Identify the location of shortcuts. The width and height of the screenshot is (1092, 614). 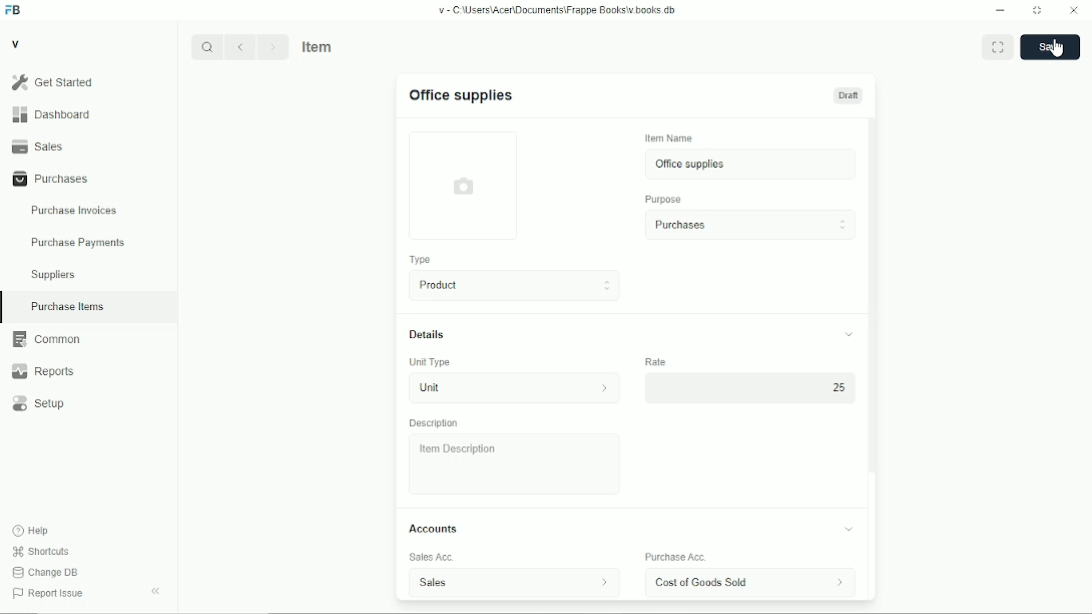
(41, 552).